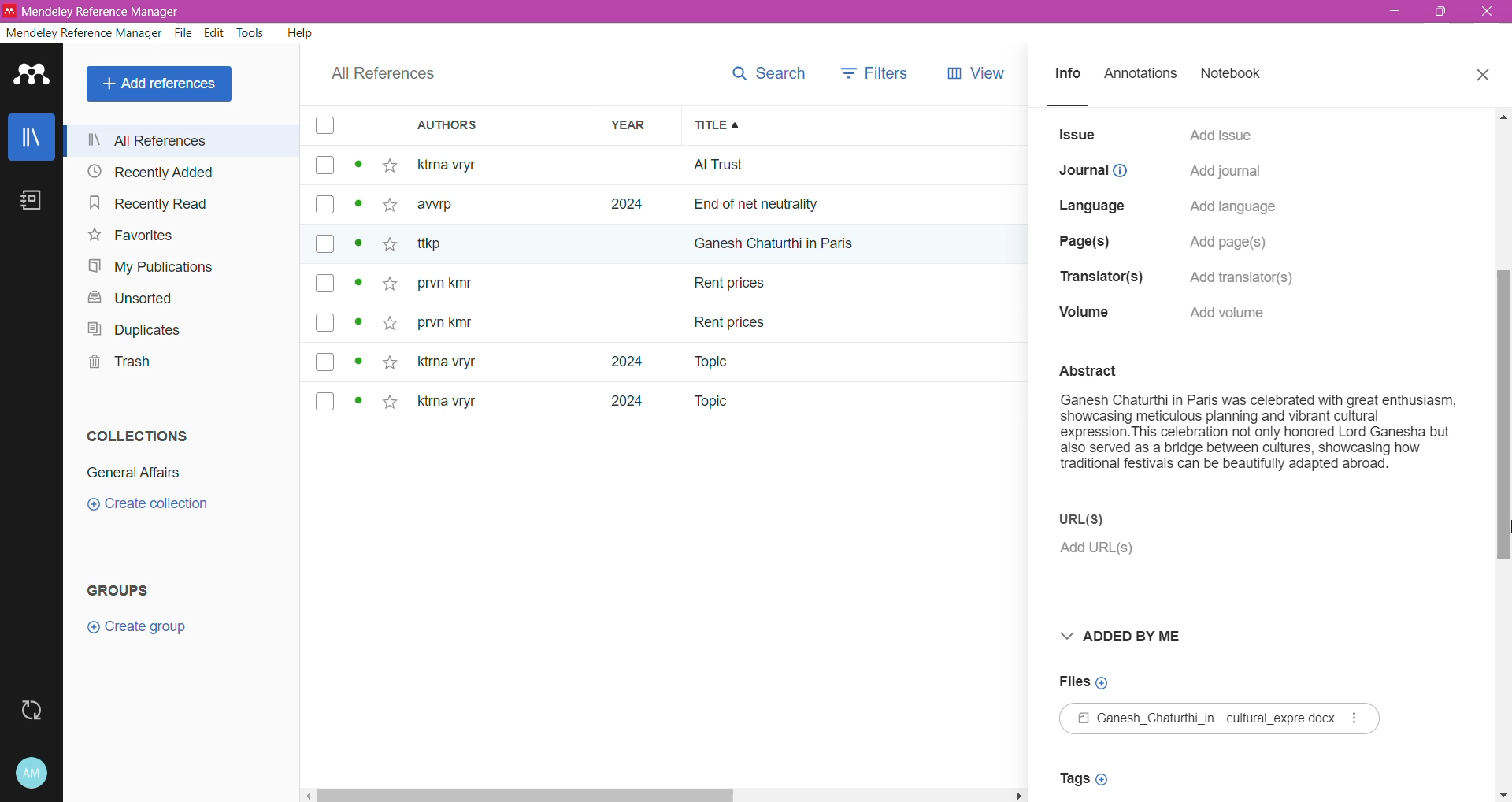 The width and height of the screenshot is (1512, 802). What do you see at coordinates (380, 76) in the screenshot?
I see `All References` at bounding box center [380, 76].